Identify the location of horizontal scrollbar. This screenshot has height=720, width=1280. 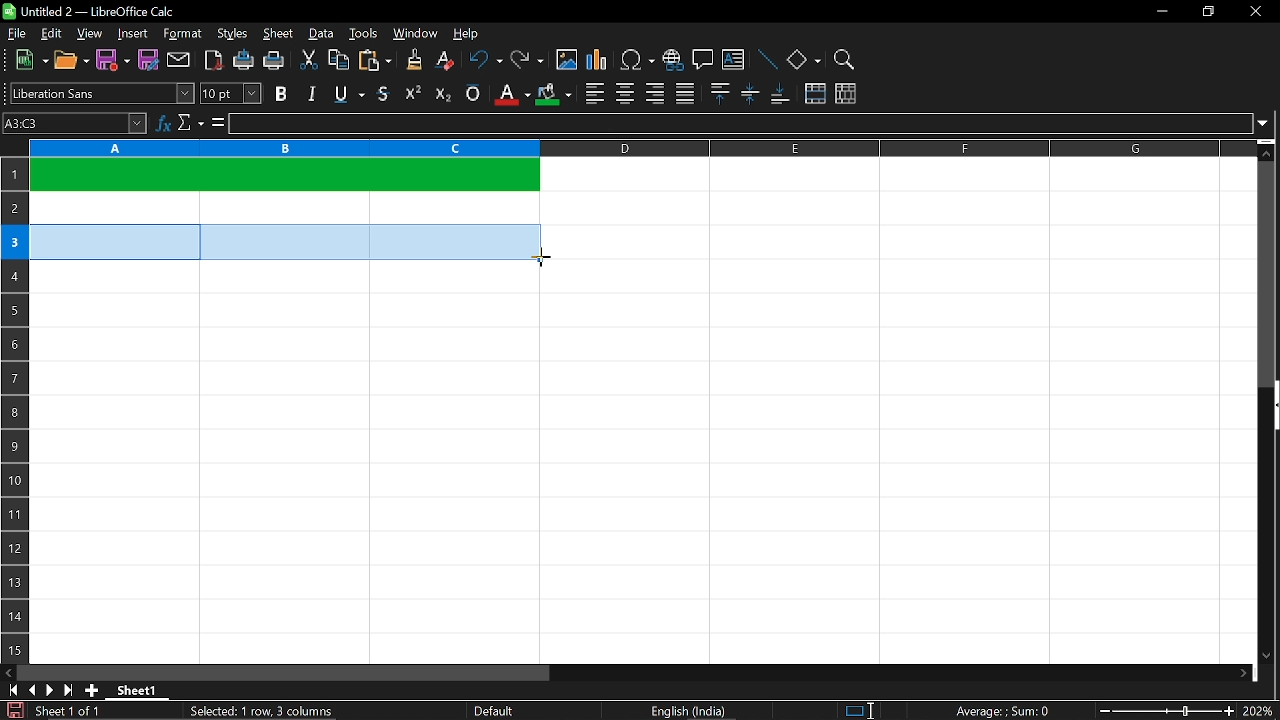
(284, 673).